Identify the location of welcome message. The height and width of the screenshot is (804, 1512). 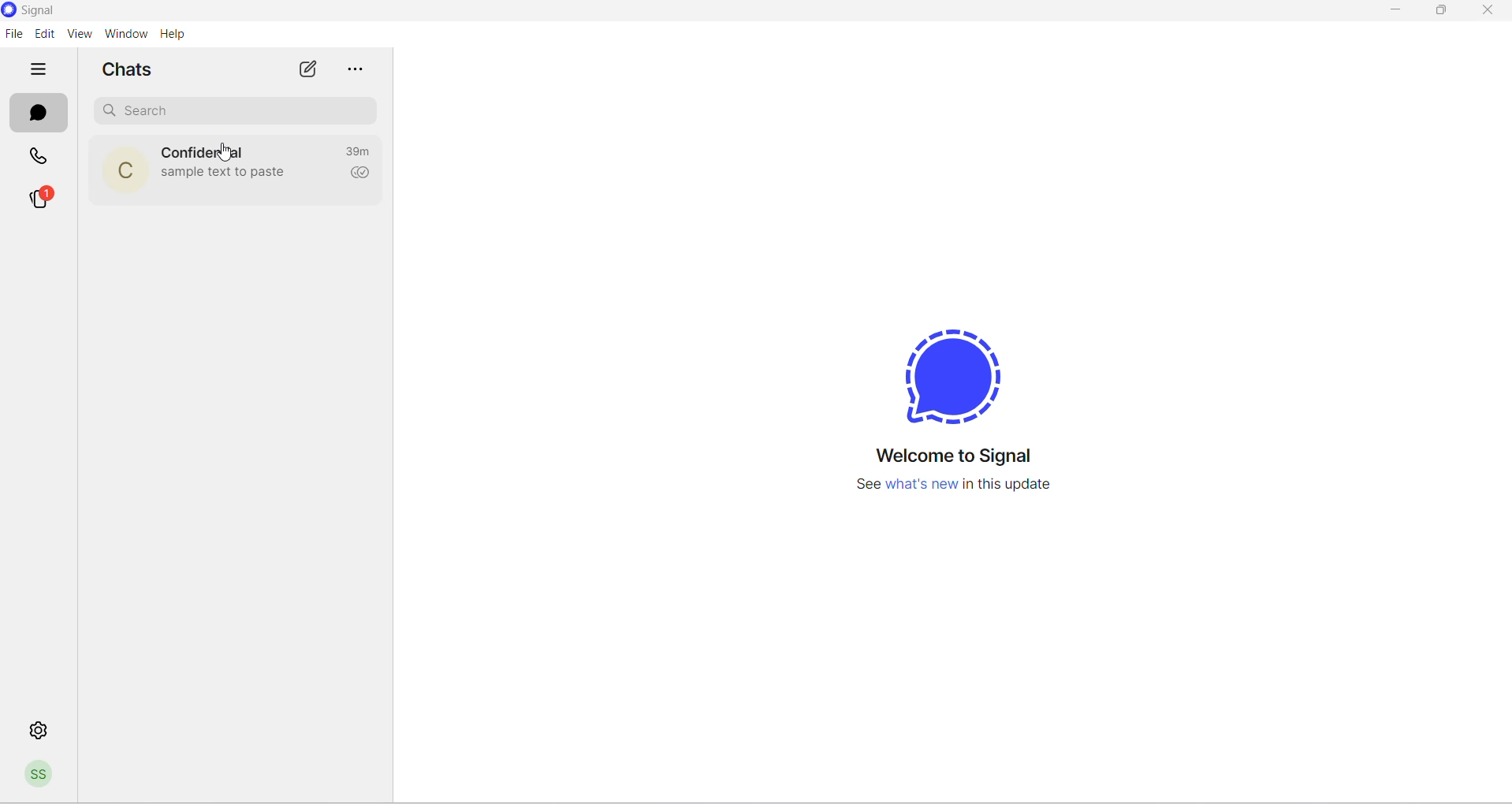
(949, 456).